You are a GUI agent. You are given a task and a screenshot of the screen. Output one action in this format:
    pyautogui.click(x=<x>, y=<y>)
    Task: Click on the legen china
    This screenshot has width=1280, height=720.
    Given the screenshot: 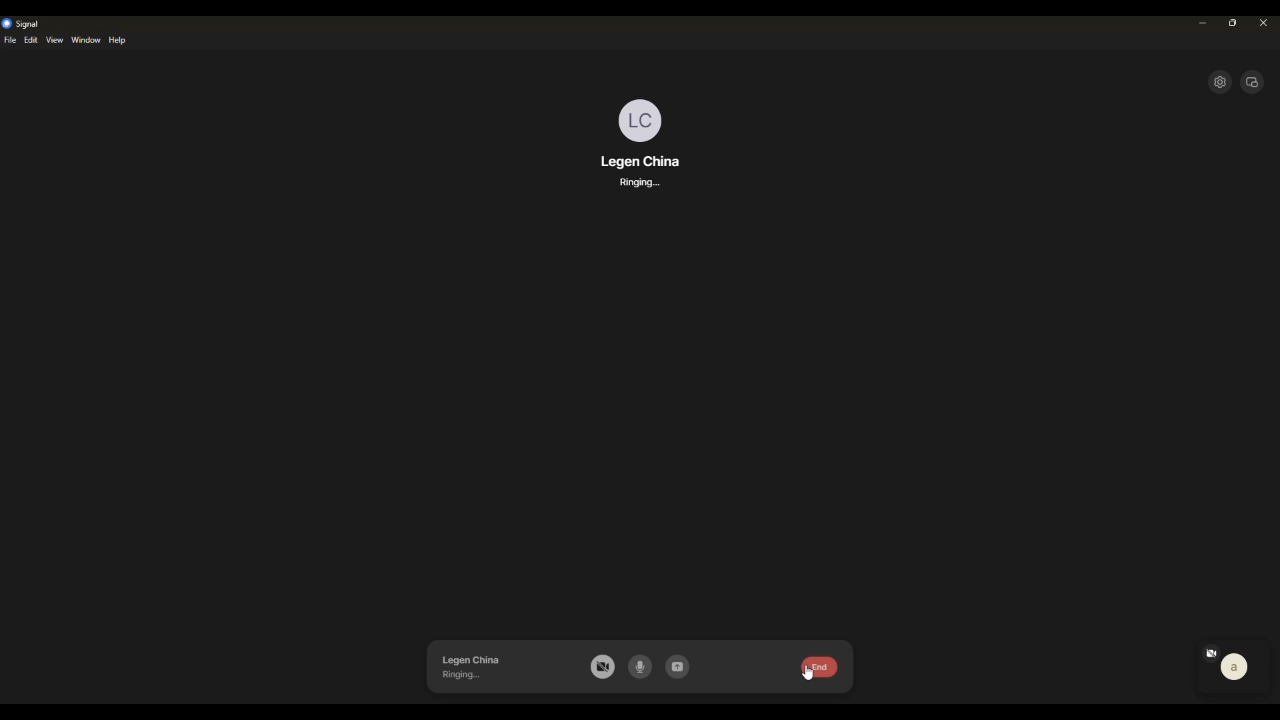 What is the action you would take?
    pyautogui.click(x=640, y=160)
    